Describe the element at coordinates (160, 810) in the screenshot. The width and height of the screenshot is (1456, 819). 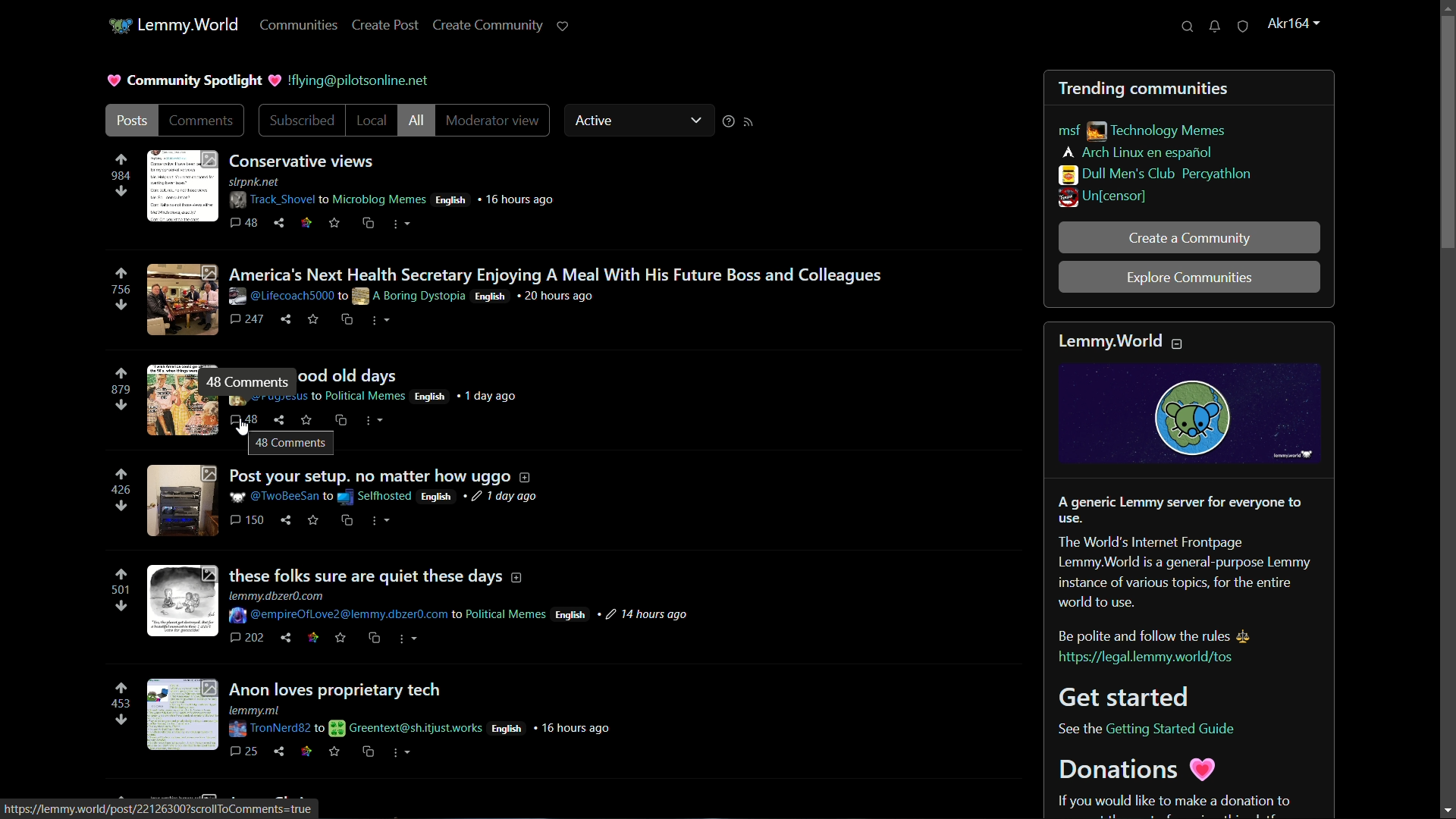
I see `text` at that location.